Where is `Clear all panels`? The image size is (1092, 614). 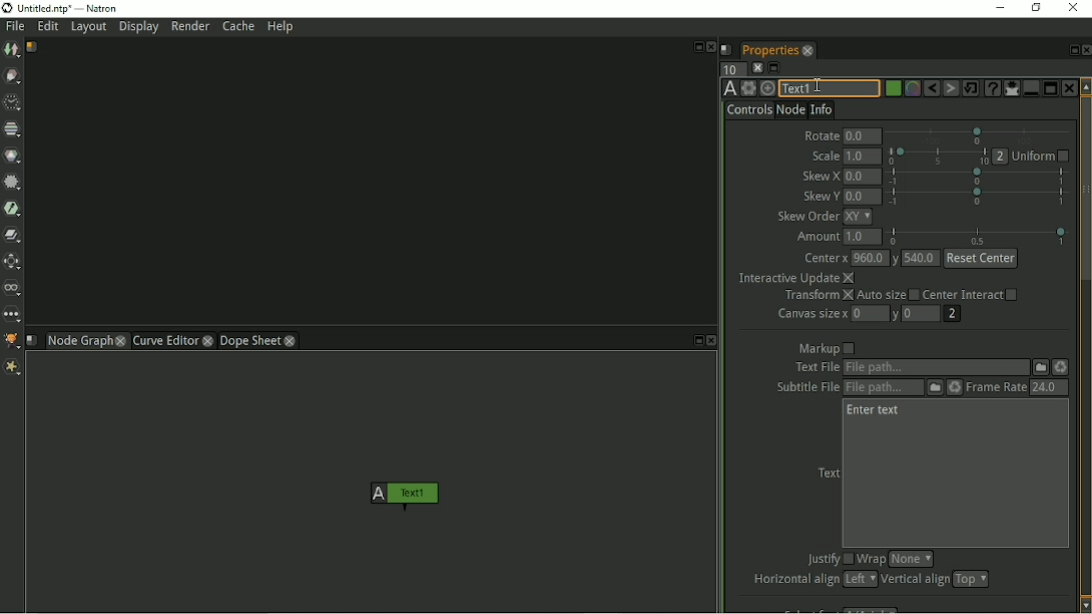
Clear all panels is located at coordinates (757, 67).